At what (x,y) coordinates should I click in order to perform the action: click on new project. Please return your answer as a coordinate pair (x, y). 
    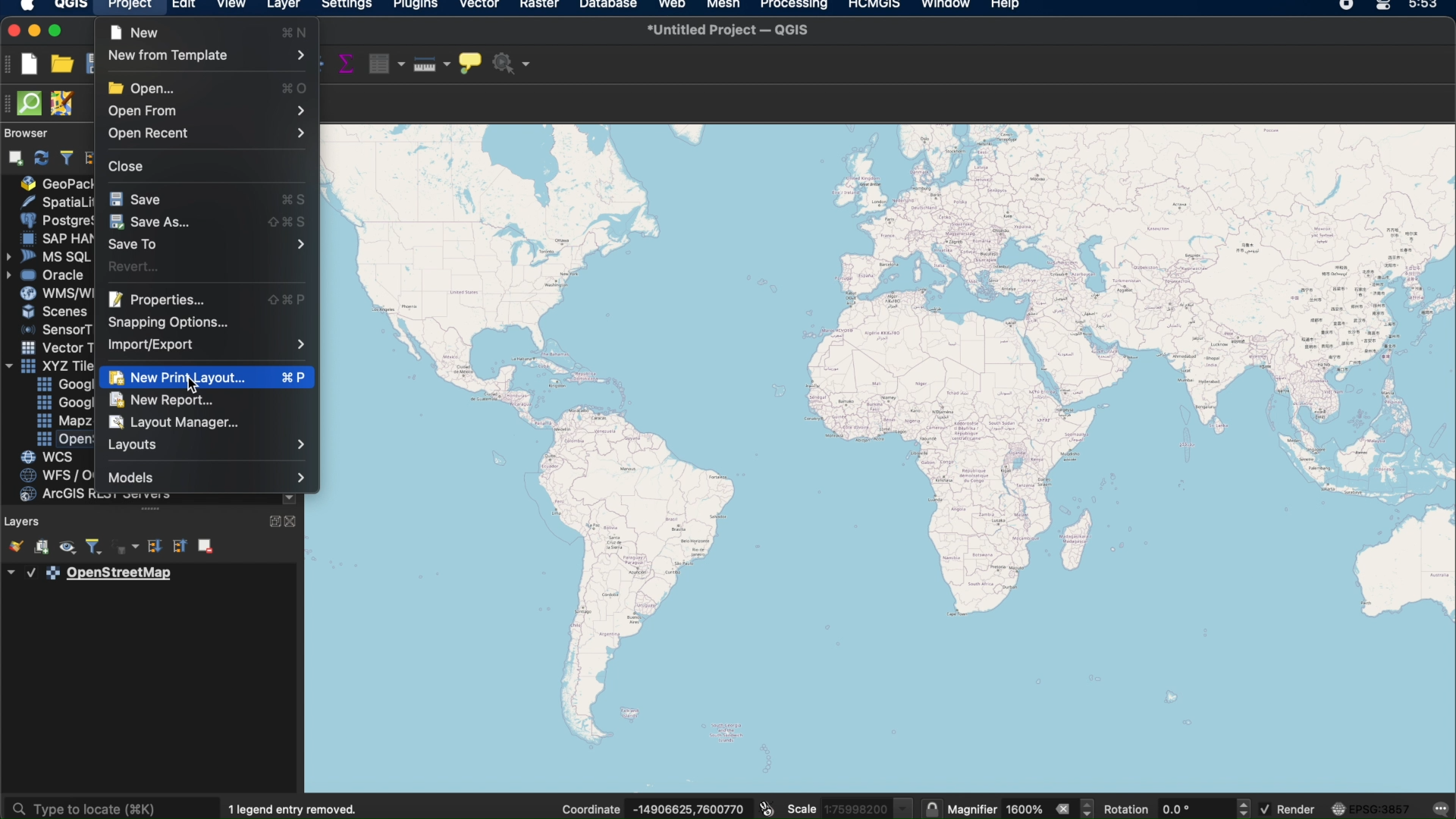
    Looking at the image, I should click on (30, 67).